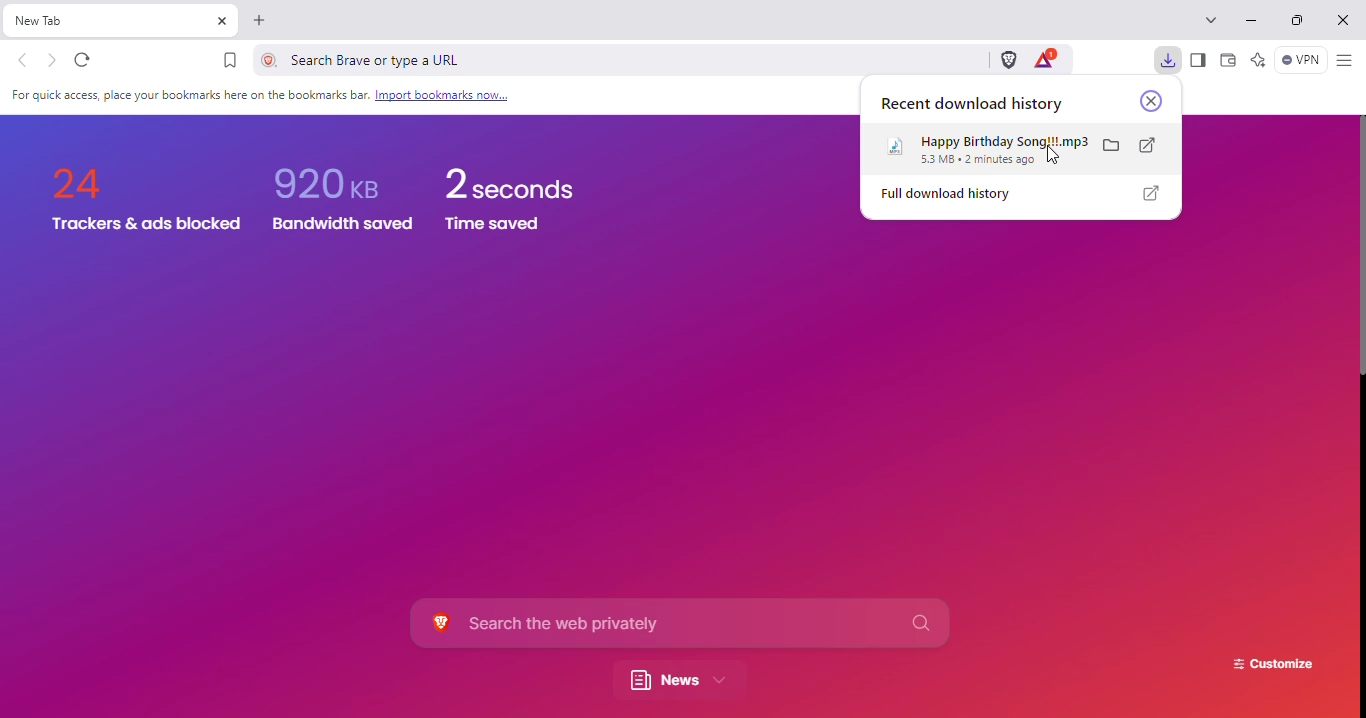 The width and height of the screenshot is (1366, 718). I want to click on 53 MB 2 minutes ago, so click(976, 161).